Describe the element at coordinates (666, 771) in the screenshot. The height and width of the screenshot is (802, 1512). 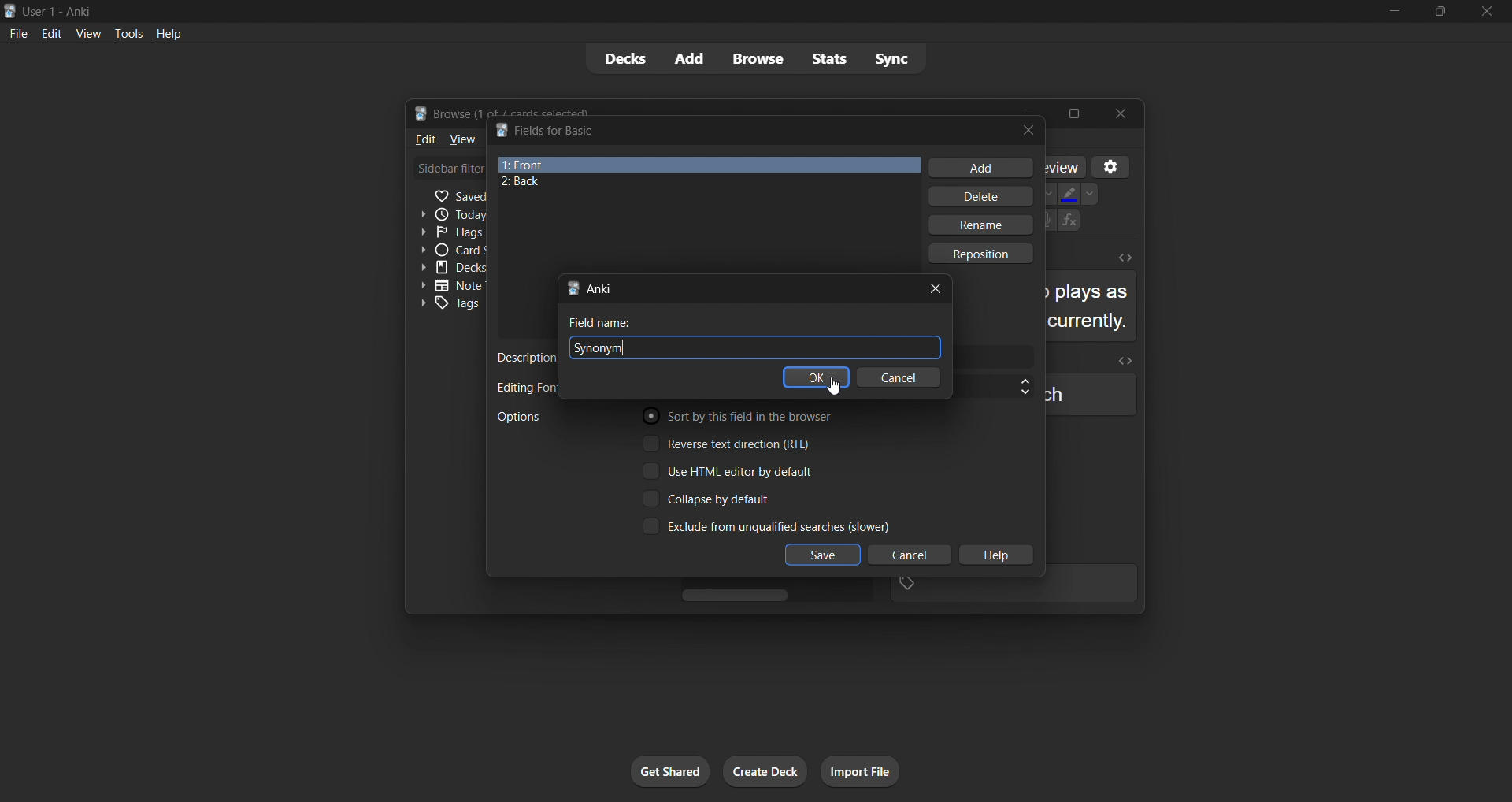
I see `get shared` at that location.